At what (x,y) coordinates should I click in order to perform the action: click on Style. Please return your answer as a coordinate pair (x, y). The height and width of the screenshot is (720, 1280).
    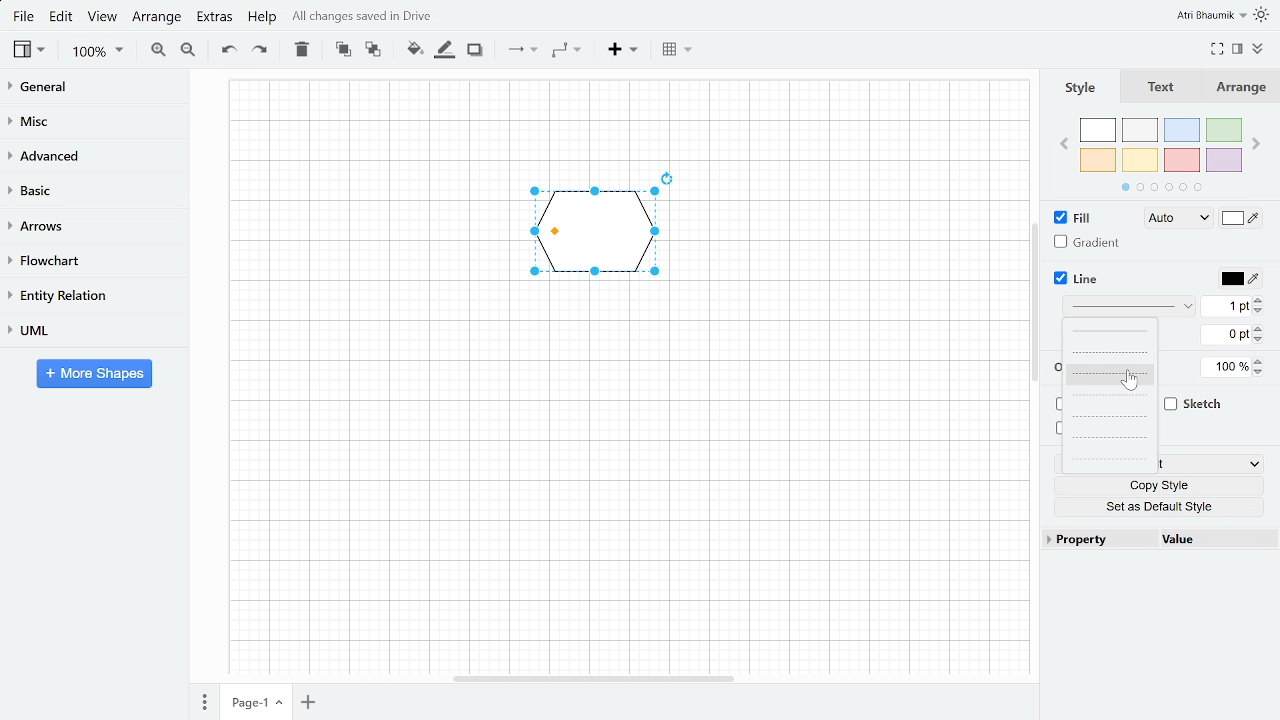
    Looking at the image, I should click on (1074, 88).